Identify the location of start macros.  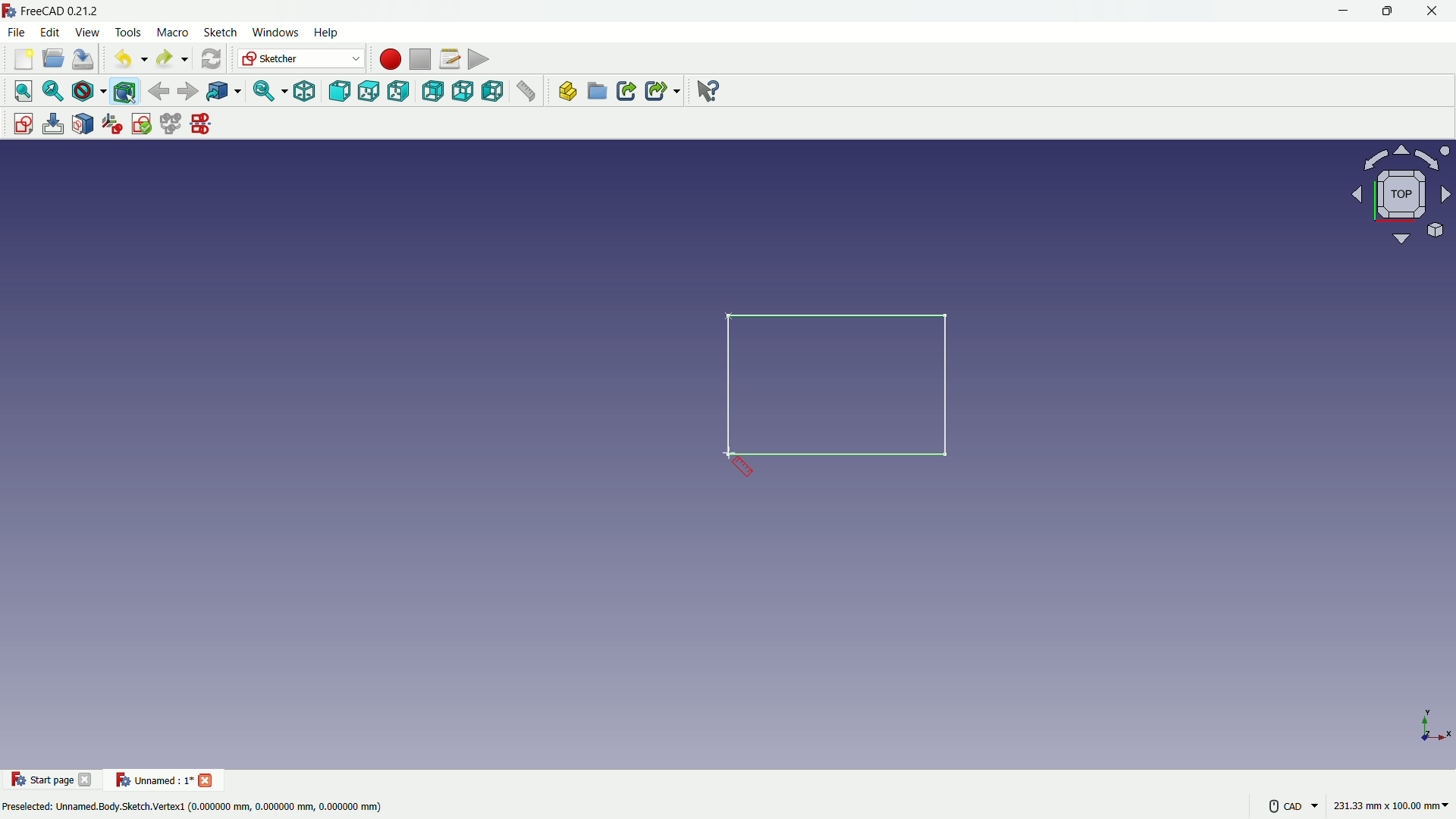
(388, 58).